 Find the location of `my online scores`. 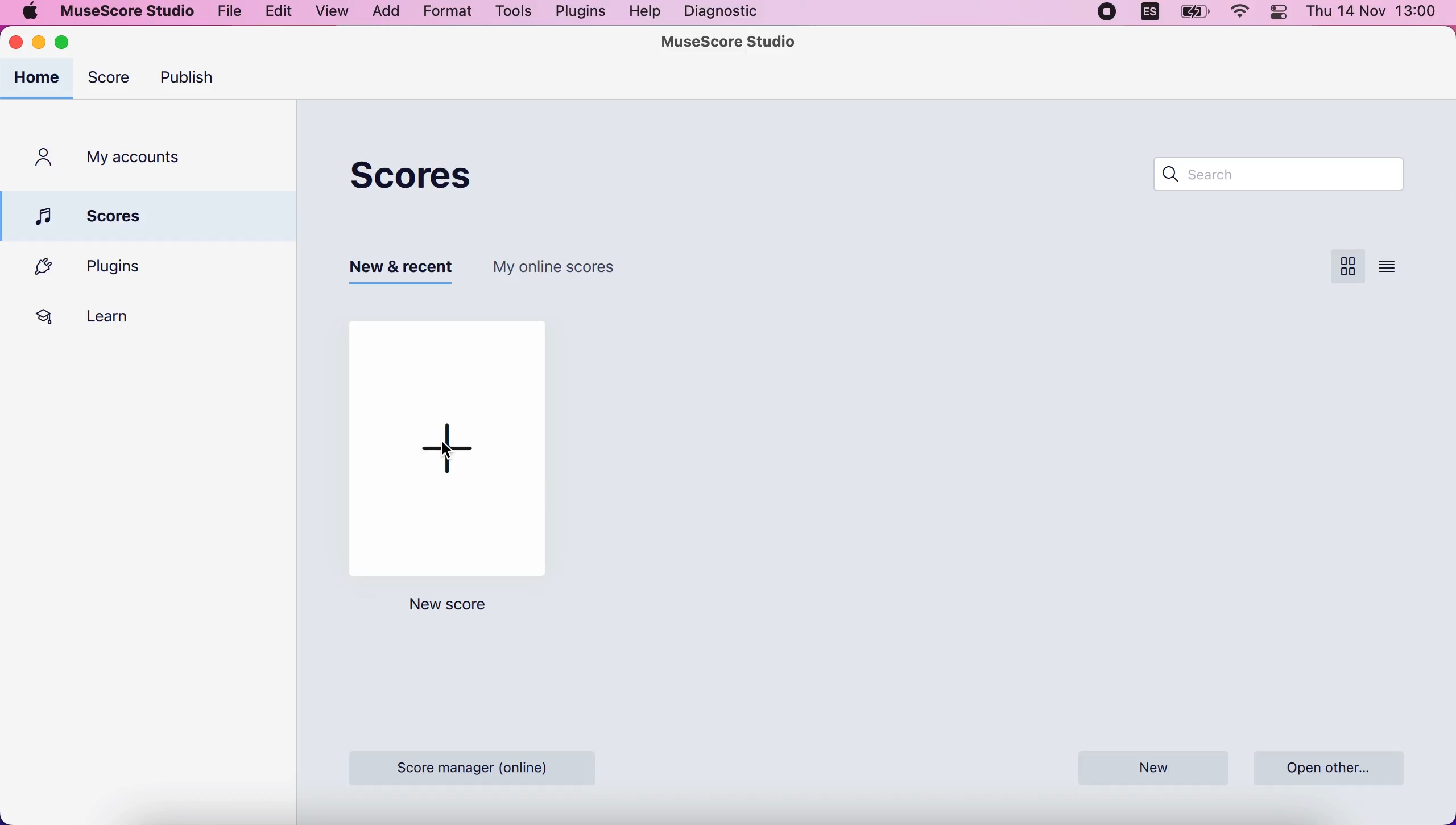

my online scores is located at coordinates (561, 266).